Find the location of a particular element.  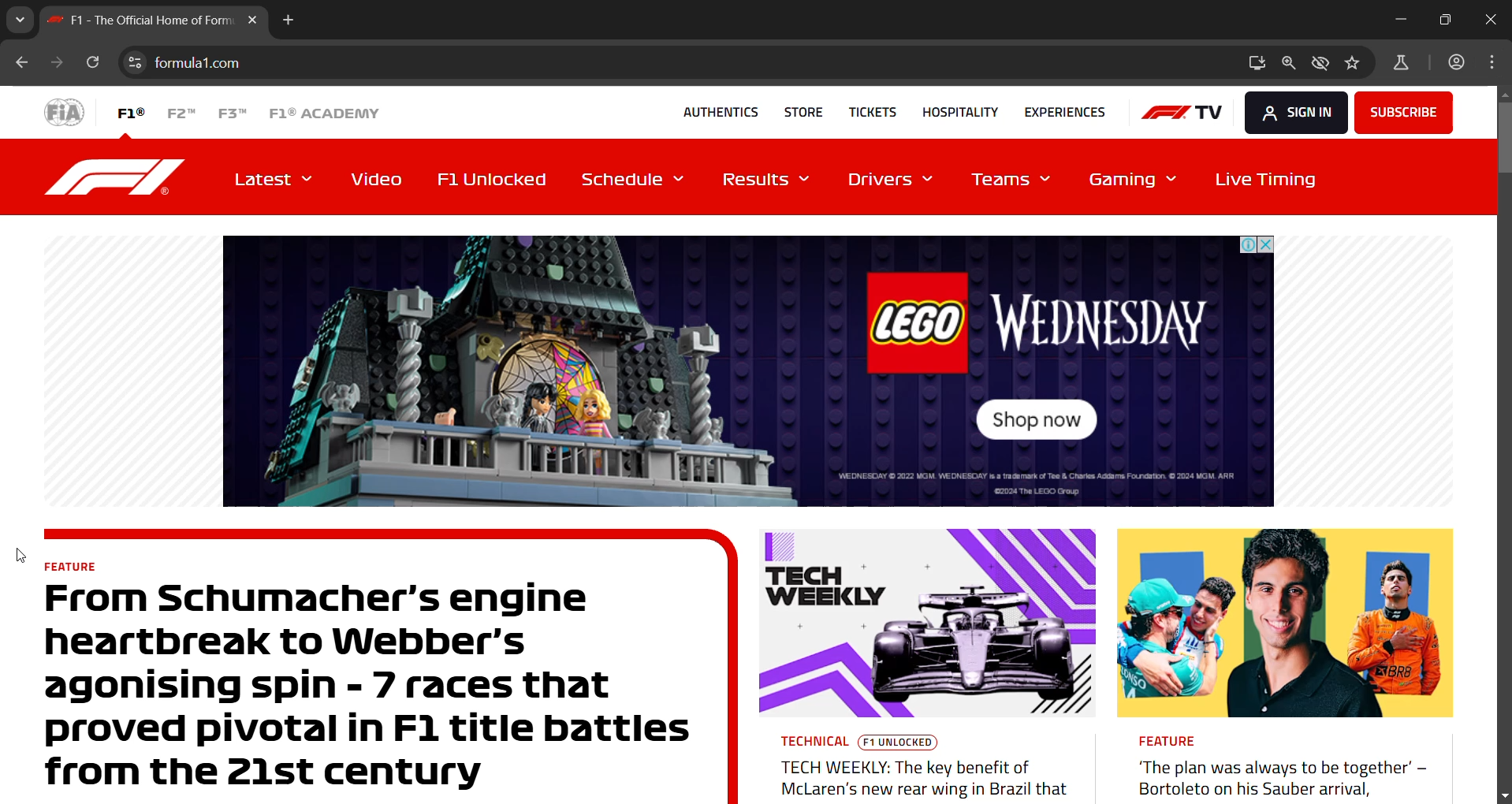

EXPERIENCES is located at coordinates (1065, 112).